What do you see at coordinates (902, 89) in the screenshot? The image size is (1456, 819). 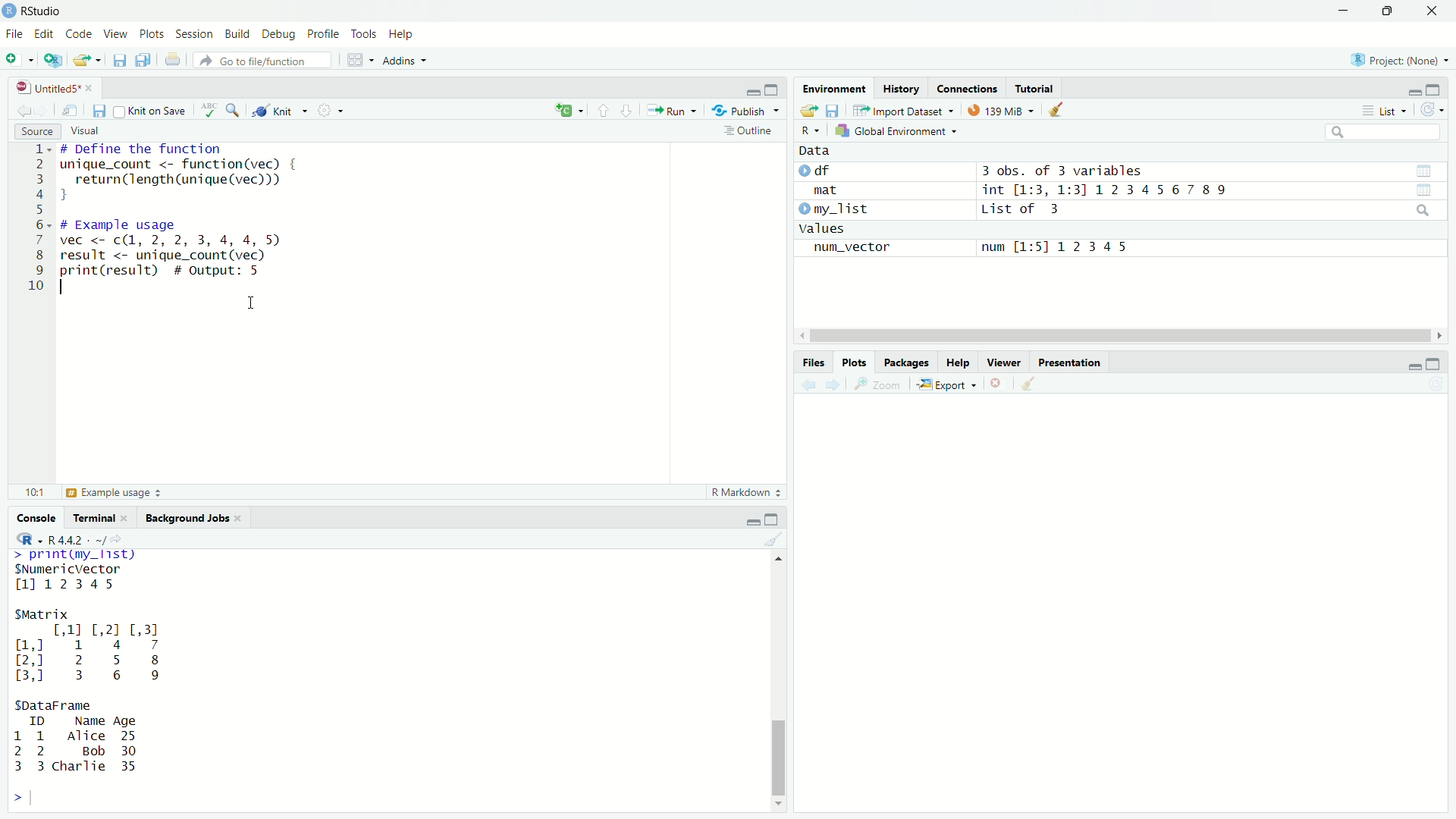 I see `History` at bounding box center [902, 89].